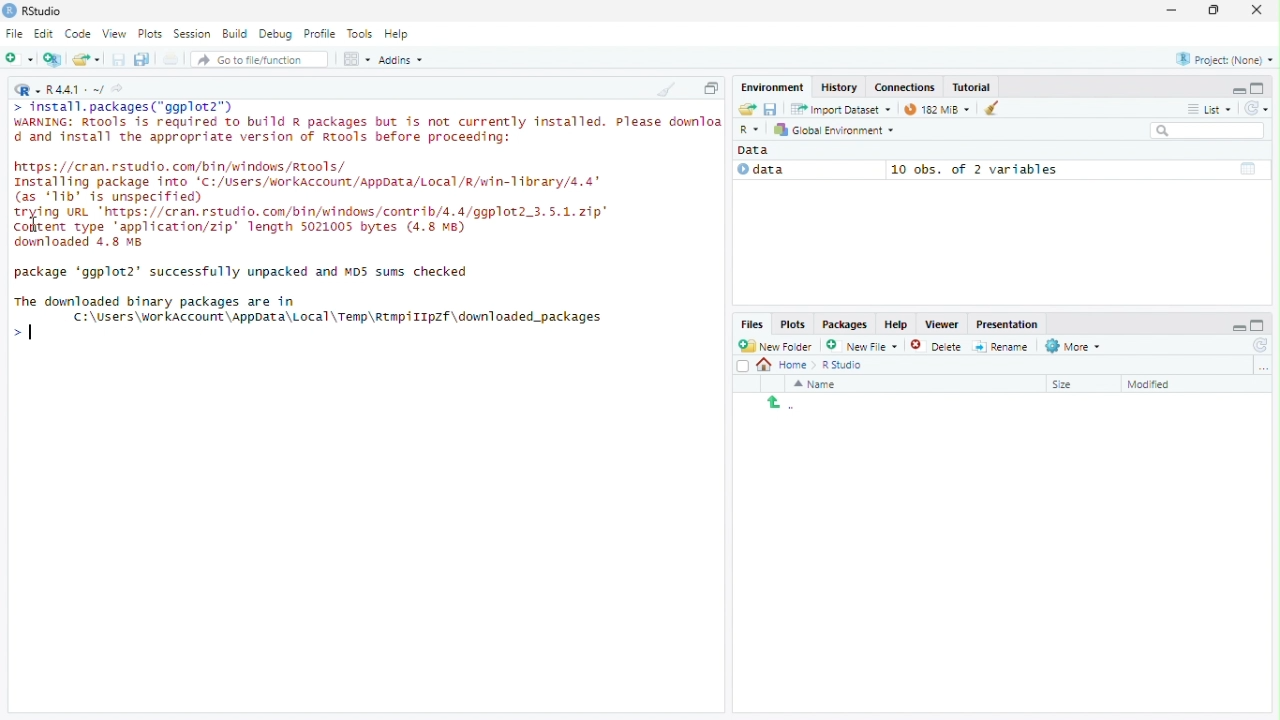 This screenshot has width=1280, height=720. What do you see at coordinates (835, 130) in the screenshot?
I see `Global environment` at bounding box center [835, 130].